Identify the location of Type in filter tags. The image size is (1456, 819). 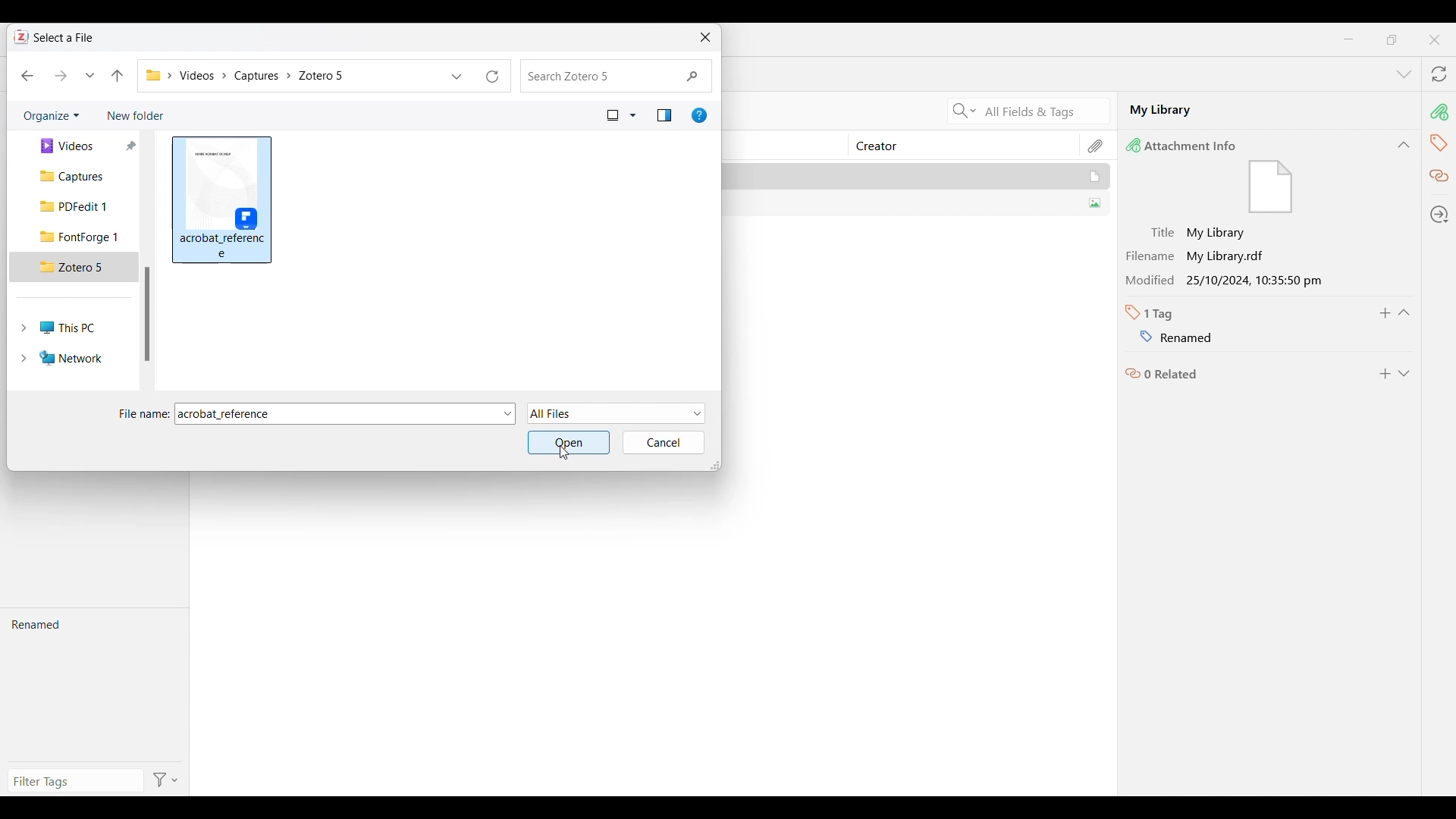
(75, 780).